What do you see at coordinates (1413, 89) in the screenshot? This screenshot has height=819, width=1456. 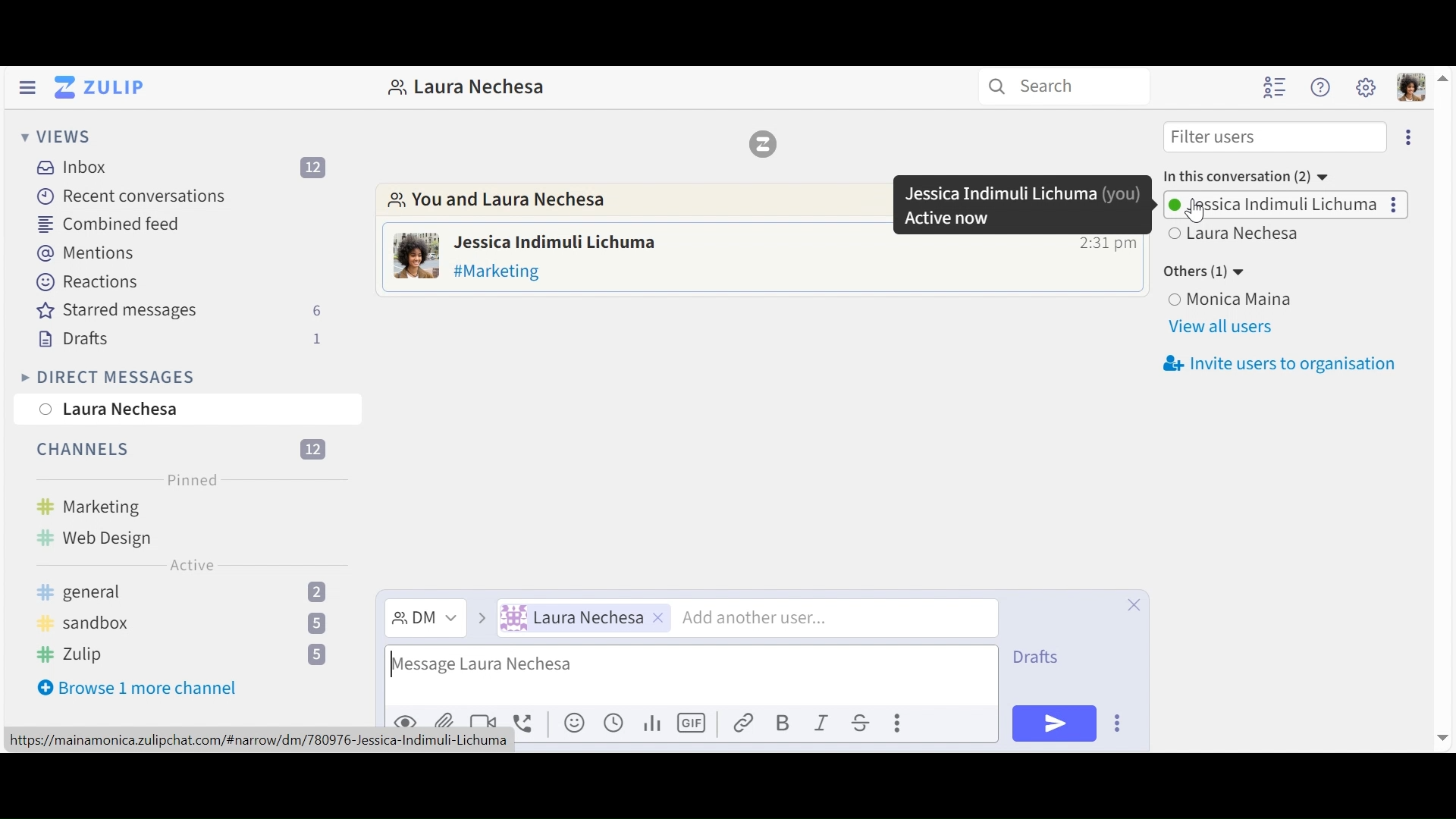 I see `Personal menu` at bounding box center [1413, 89].